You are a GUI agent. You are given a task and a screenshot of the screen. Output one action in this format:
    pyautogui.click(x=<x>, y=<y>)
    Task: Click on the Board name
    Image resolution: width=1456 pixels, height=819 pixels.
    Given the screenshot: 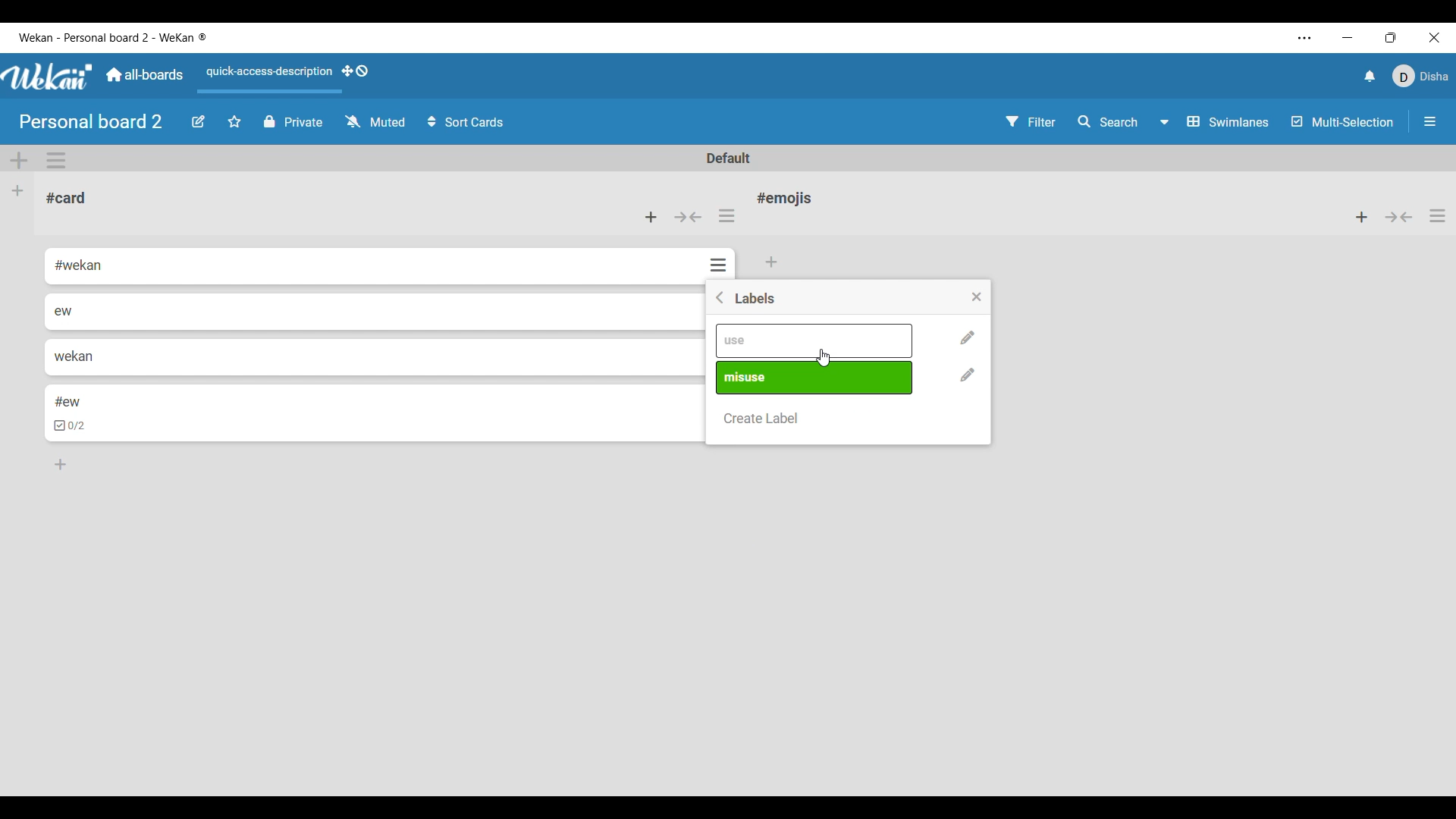 What is the action you would take?
    pyautogui.click(x=90, y=121)
    